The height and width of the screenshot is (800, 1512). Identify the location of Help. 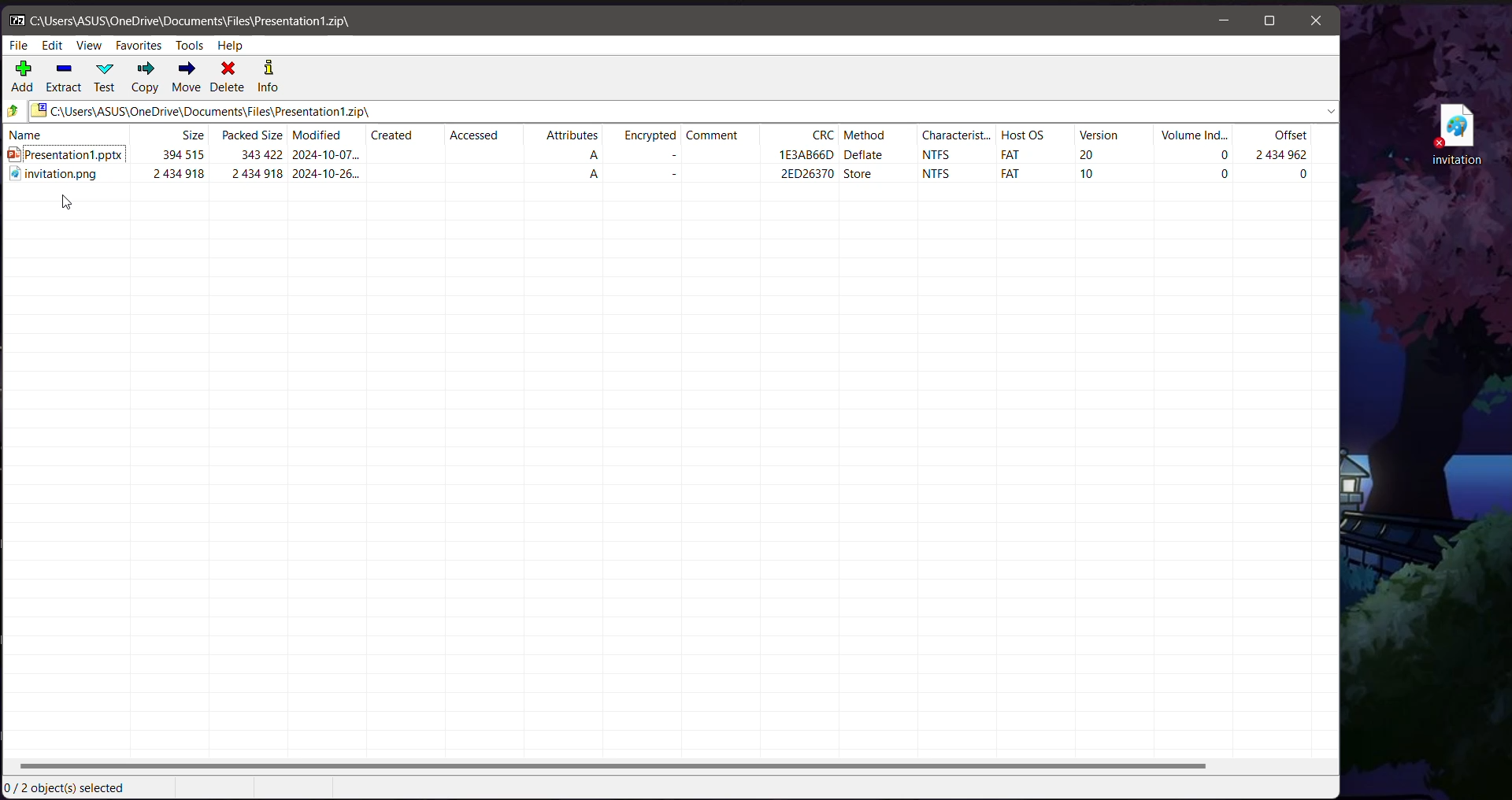
(232, 46).